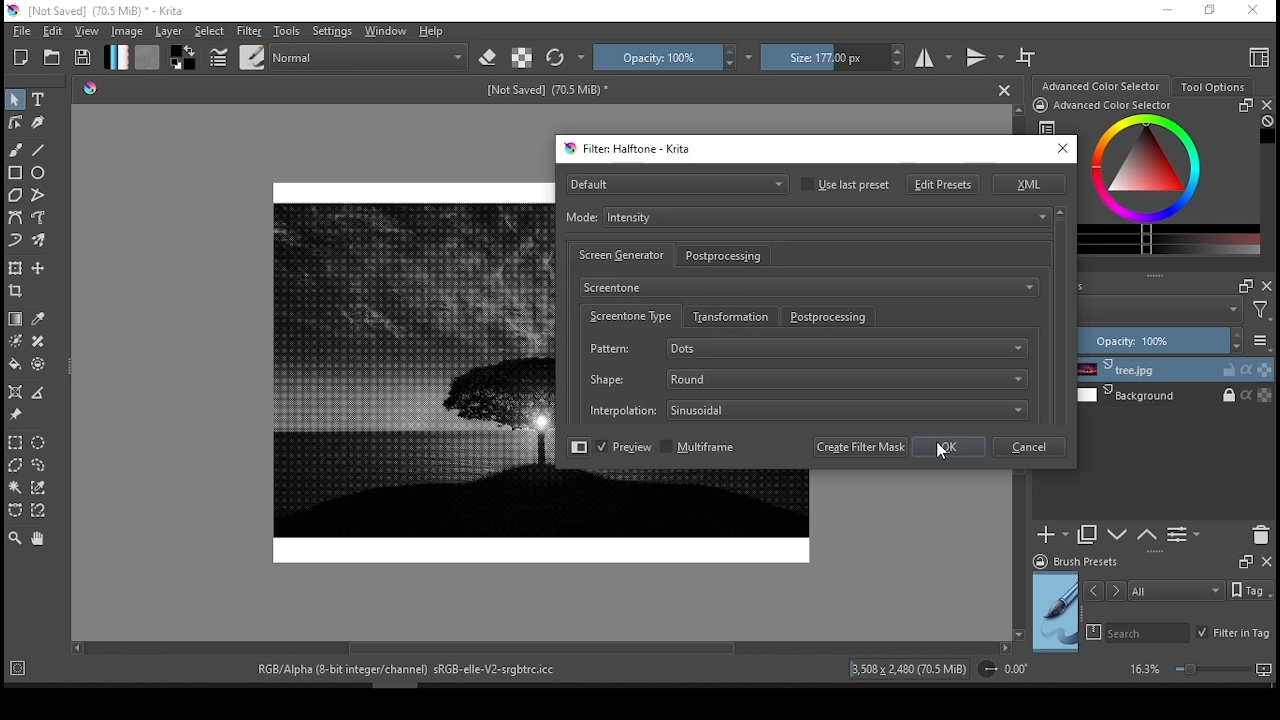 This screenshot has height=720, width=1280. Describe the element at coordinates (128, 32) in the screenshot. I see `image` at that location.